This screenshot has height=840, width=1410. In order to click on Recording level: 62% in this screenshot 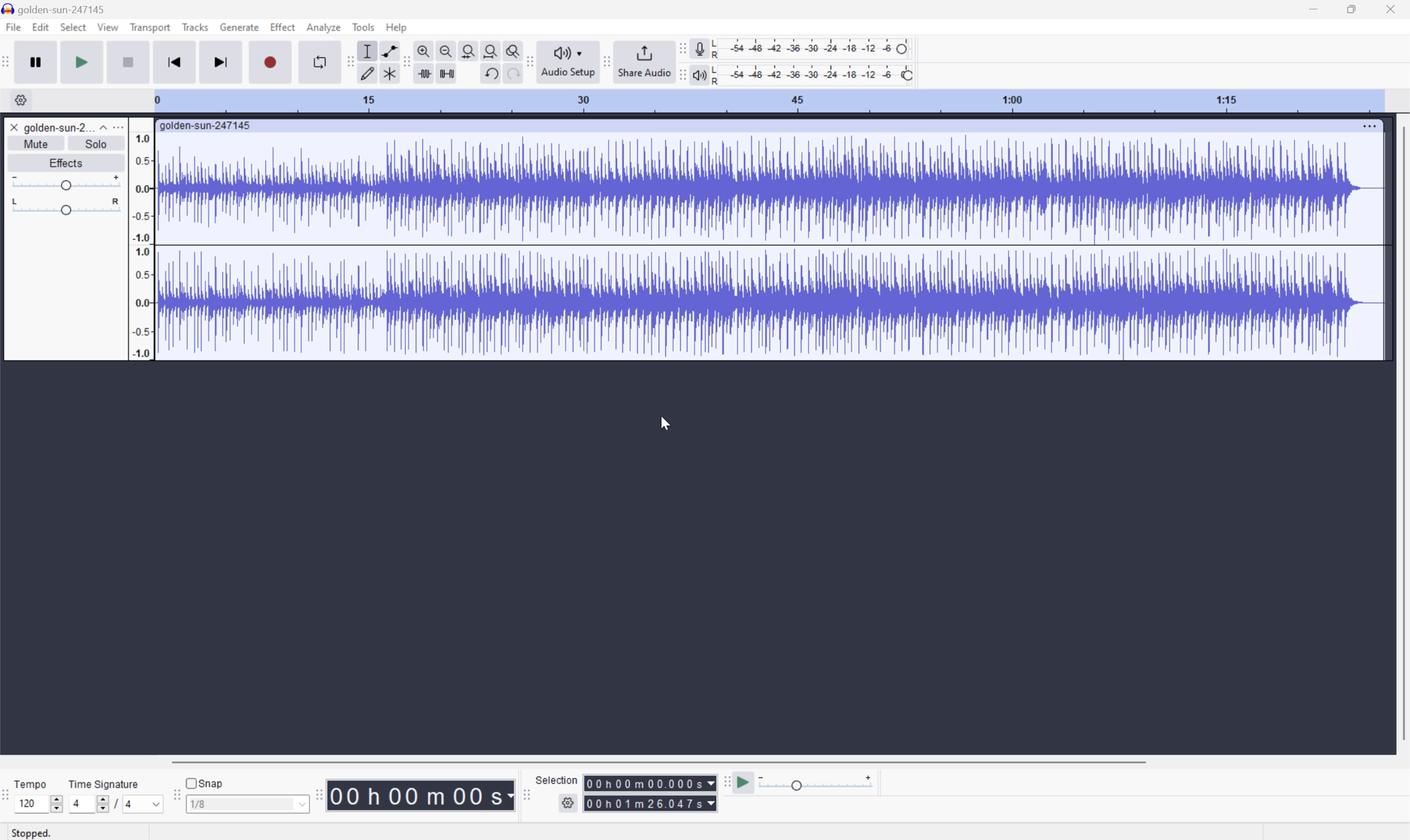, I will do `click(813, 48)`.